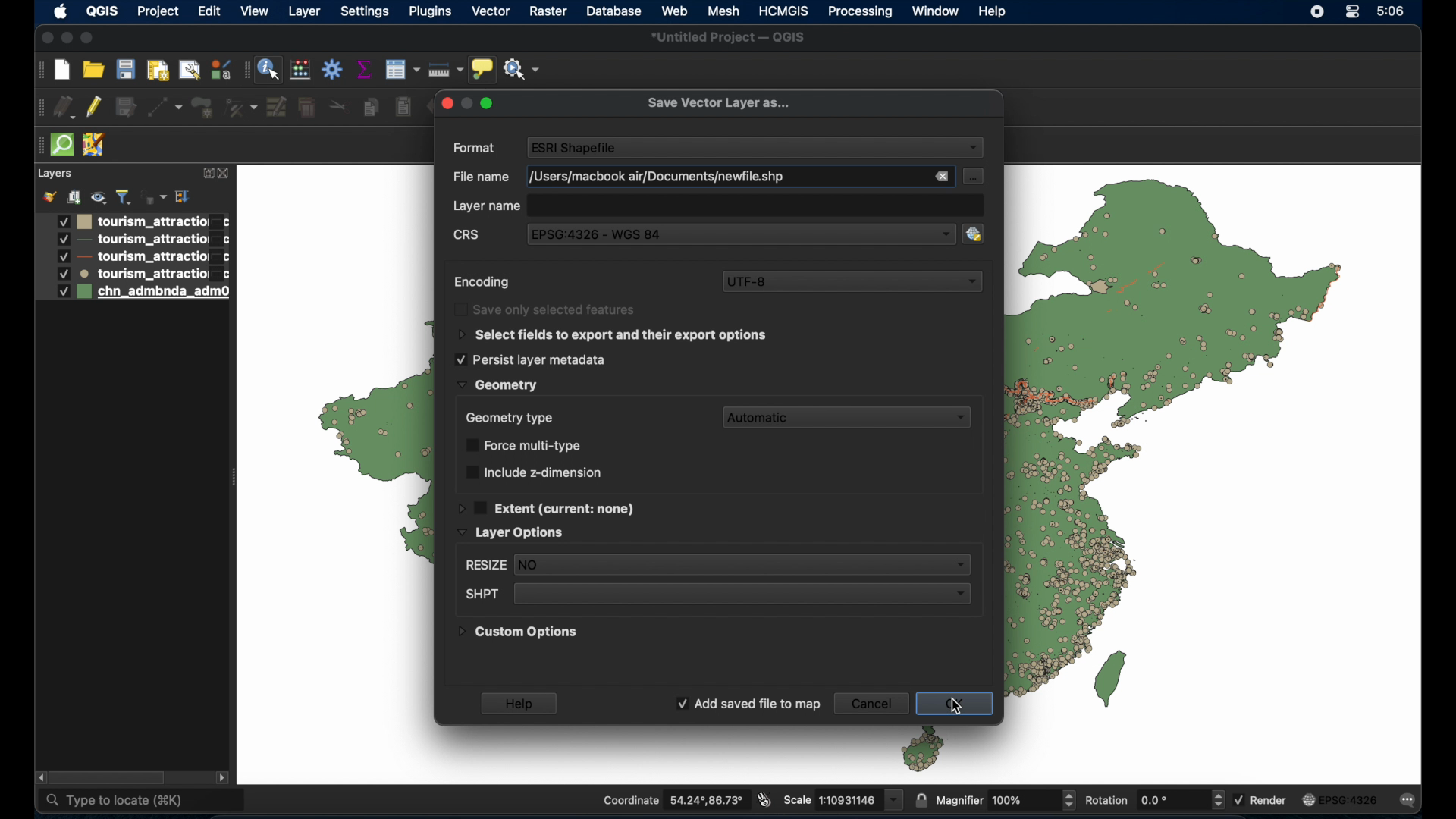 The width and height of the screenshot is (1456, 819). What do you see at coordinates (852, 281) in the screenshot?
I see `UTF-8` at bounding box center [852, 281].